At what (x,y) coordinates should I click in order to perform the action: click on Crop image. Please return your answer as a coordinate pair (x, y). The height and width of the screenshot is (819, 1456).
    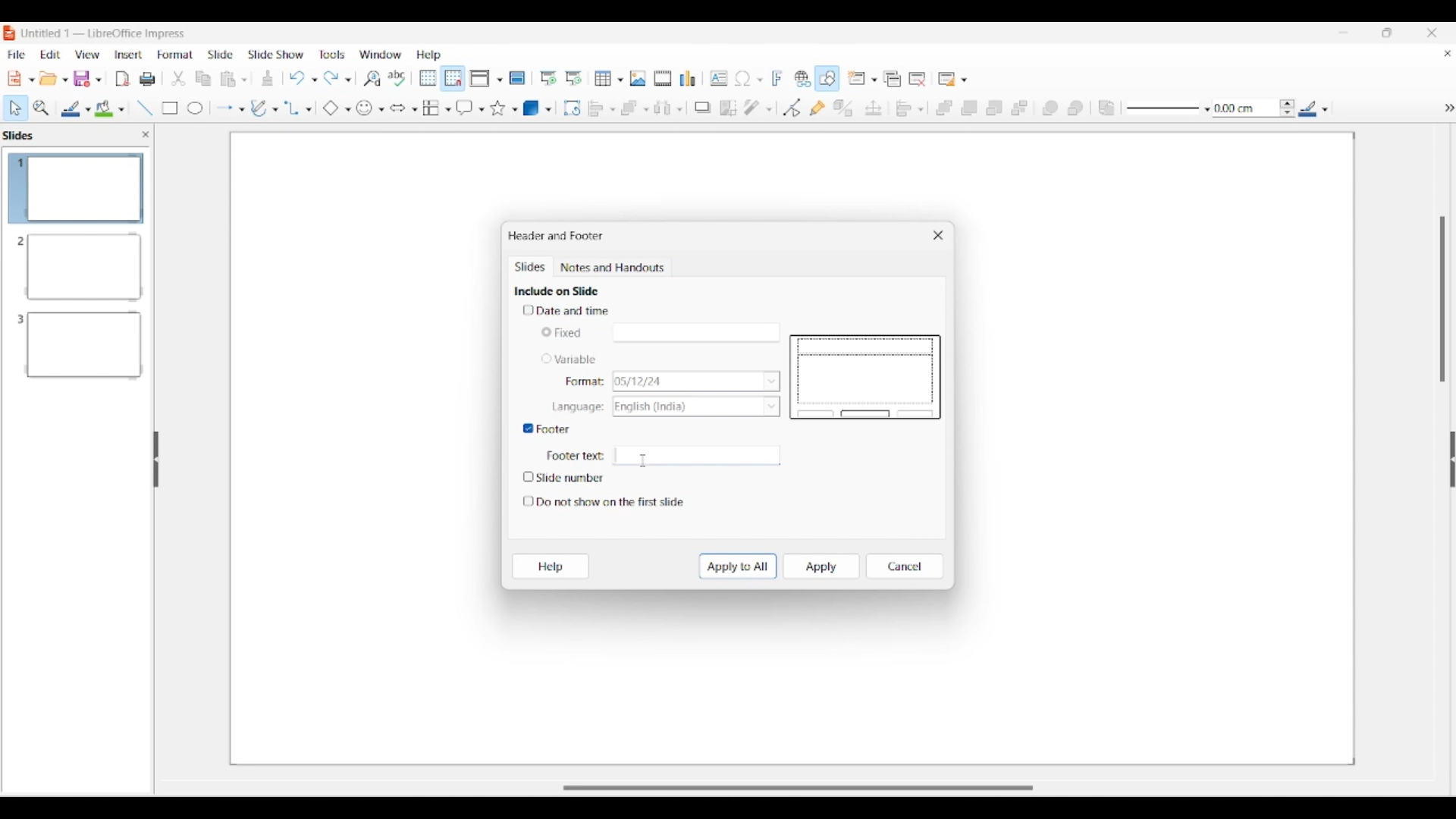
    Looking at the image, I should click on (729, 108).